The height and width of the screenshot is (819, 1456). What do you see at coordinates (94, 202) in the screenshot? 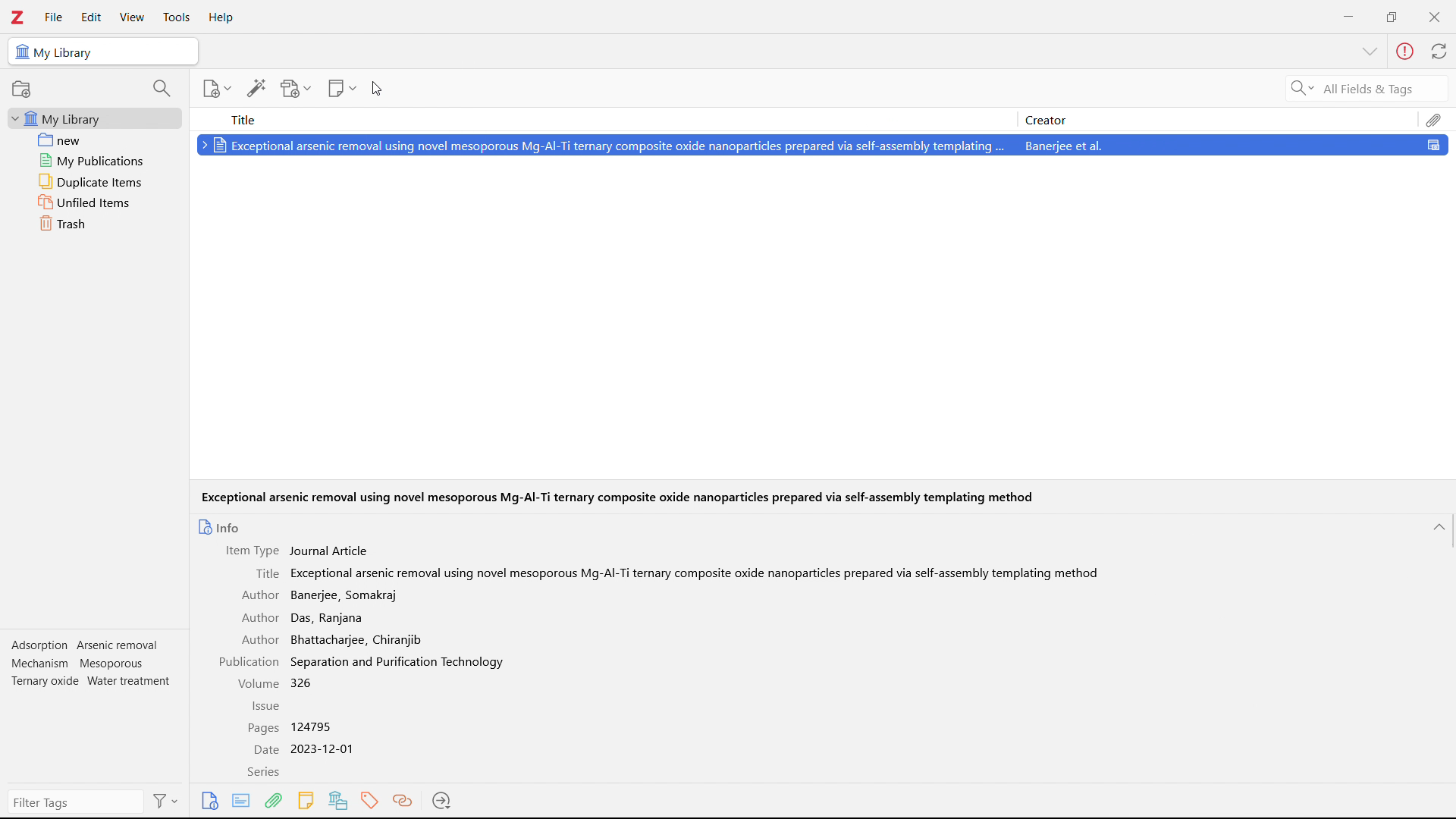
I see `unfiled items` at bounding box center [94, 202].